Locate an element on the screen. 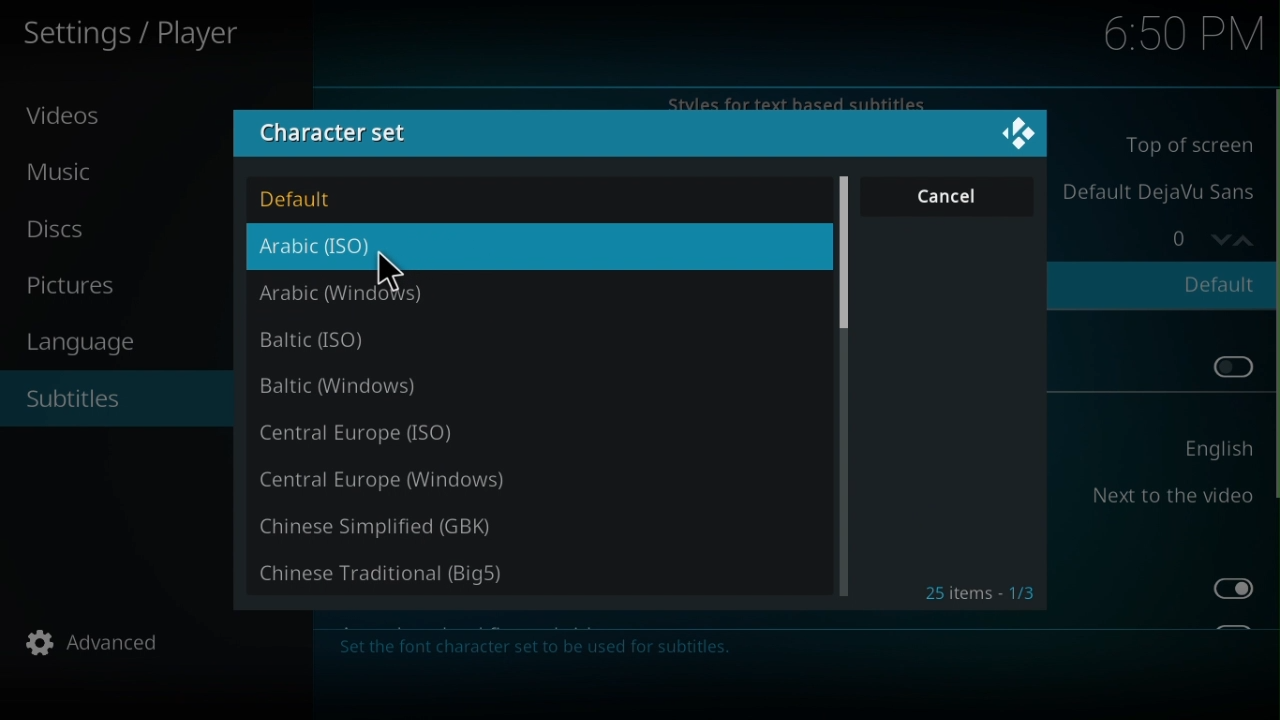  Chinese Traditional (Big5) is located at coordinates (387, 577).